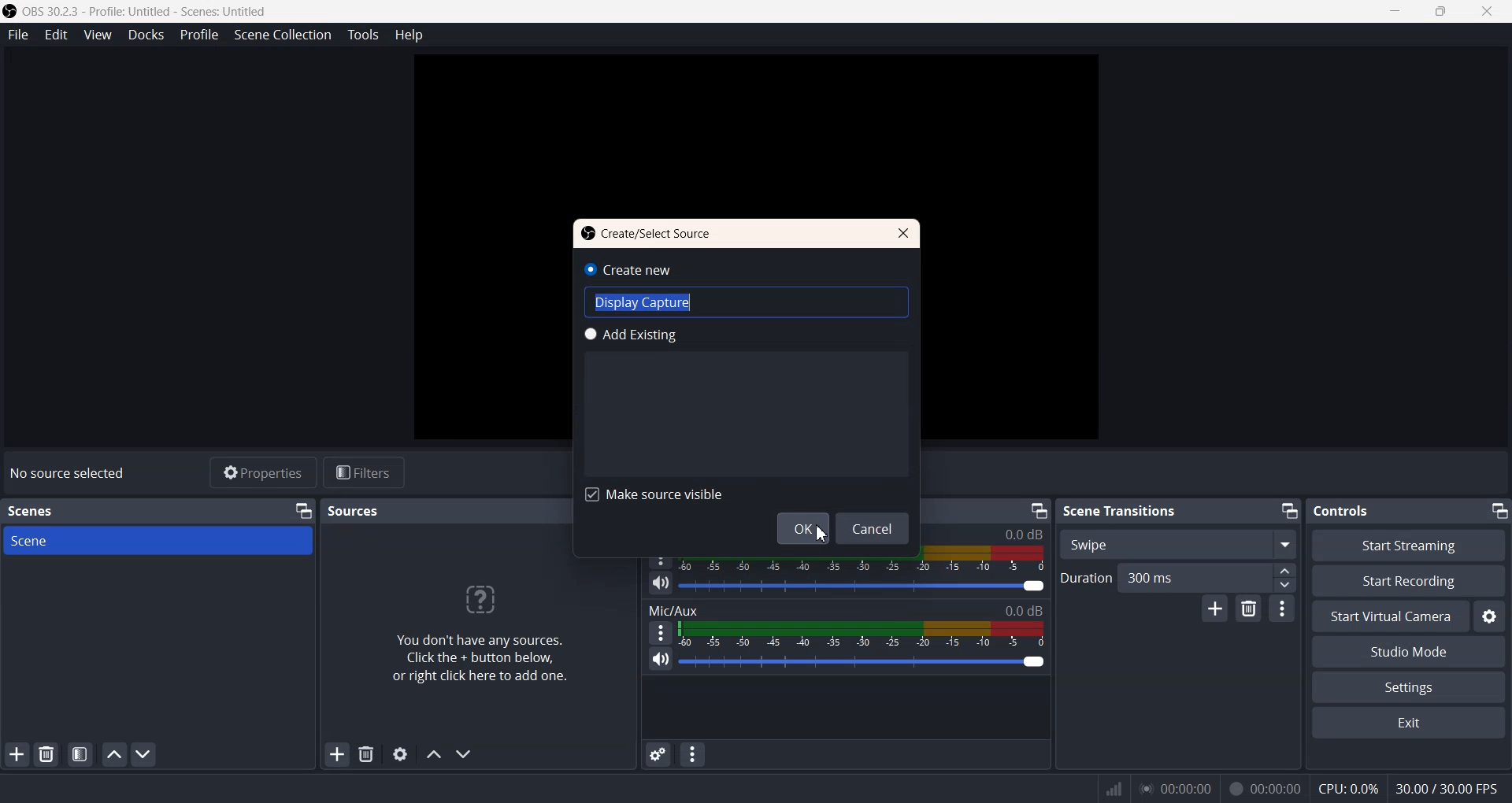 The image size is (1512, 803). Describe the element at coordinates (1178, 577) in the screenshot. I see `Duration` at that location.